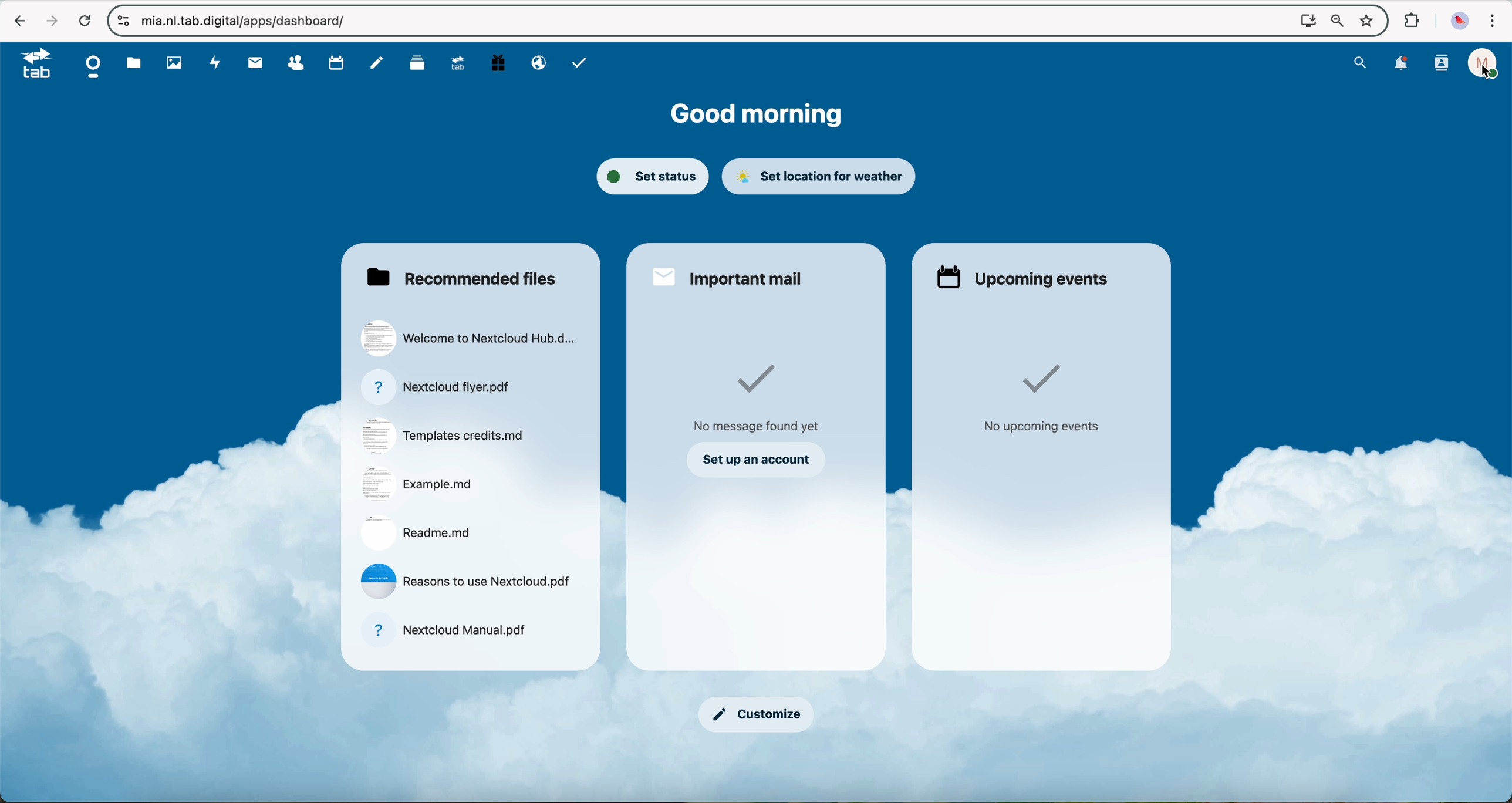  I want to click on file, so click(468, 336).